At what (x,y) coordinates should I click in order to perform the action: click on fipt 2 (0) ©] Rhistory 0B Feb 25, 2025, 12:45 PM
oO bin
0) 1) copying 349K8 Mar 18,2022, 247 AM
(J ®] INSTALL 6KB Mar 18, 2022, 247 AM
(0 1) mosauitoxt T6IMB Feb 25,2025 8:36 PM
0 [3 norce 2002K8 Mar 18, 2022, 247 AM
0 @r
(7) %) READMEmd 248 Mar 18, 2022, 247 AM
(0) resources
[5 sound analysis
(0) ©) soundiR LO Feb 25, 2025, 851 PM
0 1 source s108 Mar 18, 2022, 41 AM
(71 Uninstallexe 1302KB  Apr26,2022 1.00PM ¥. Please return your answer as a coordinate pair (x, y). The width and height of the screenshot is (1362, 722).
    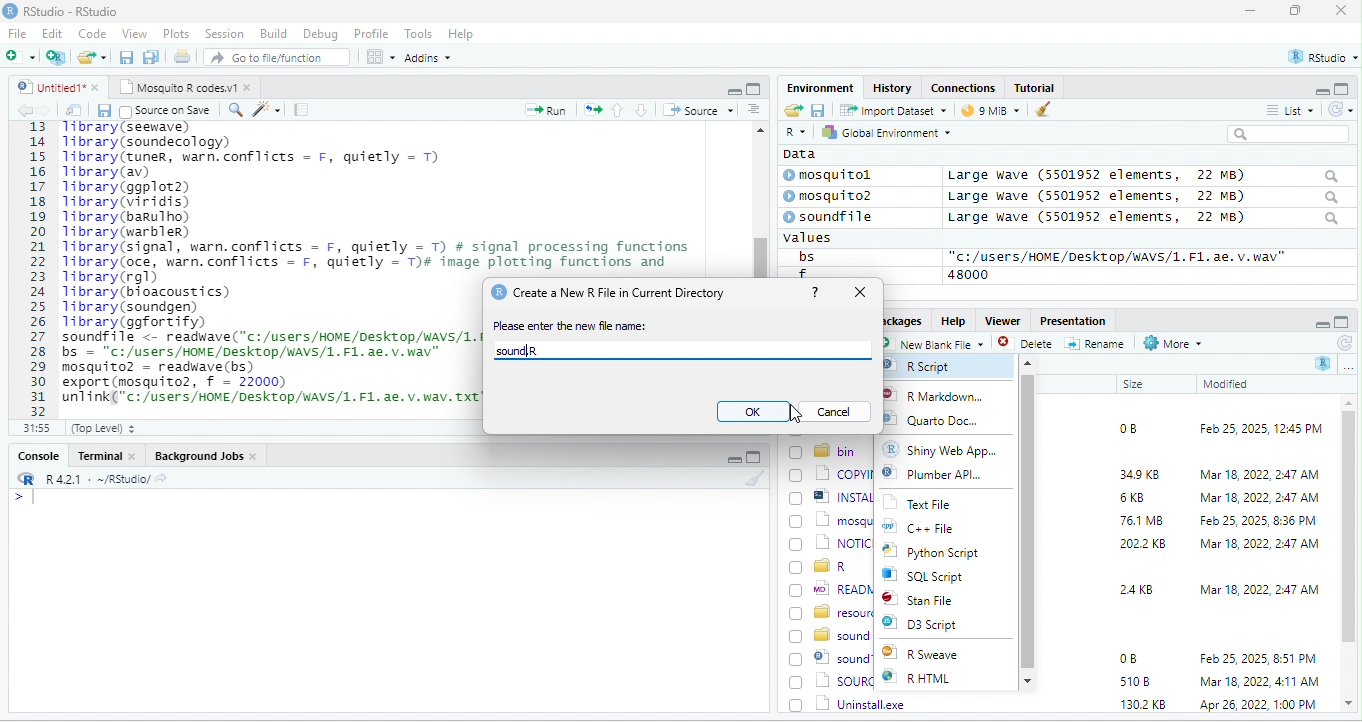
    Looking at the image, I should click on (266, 262).